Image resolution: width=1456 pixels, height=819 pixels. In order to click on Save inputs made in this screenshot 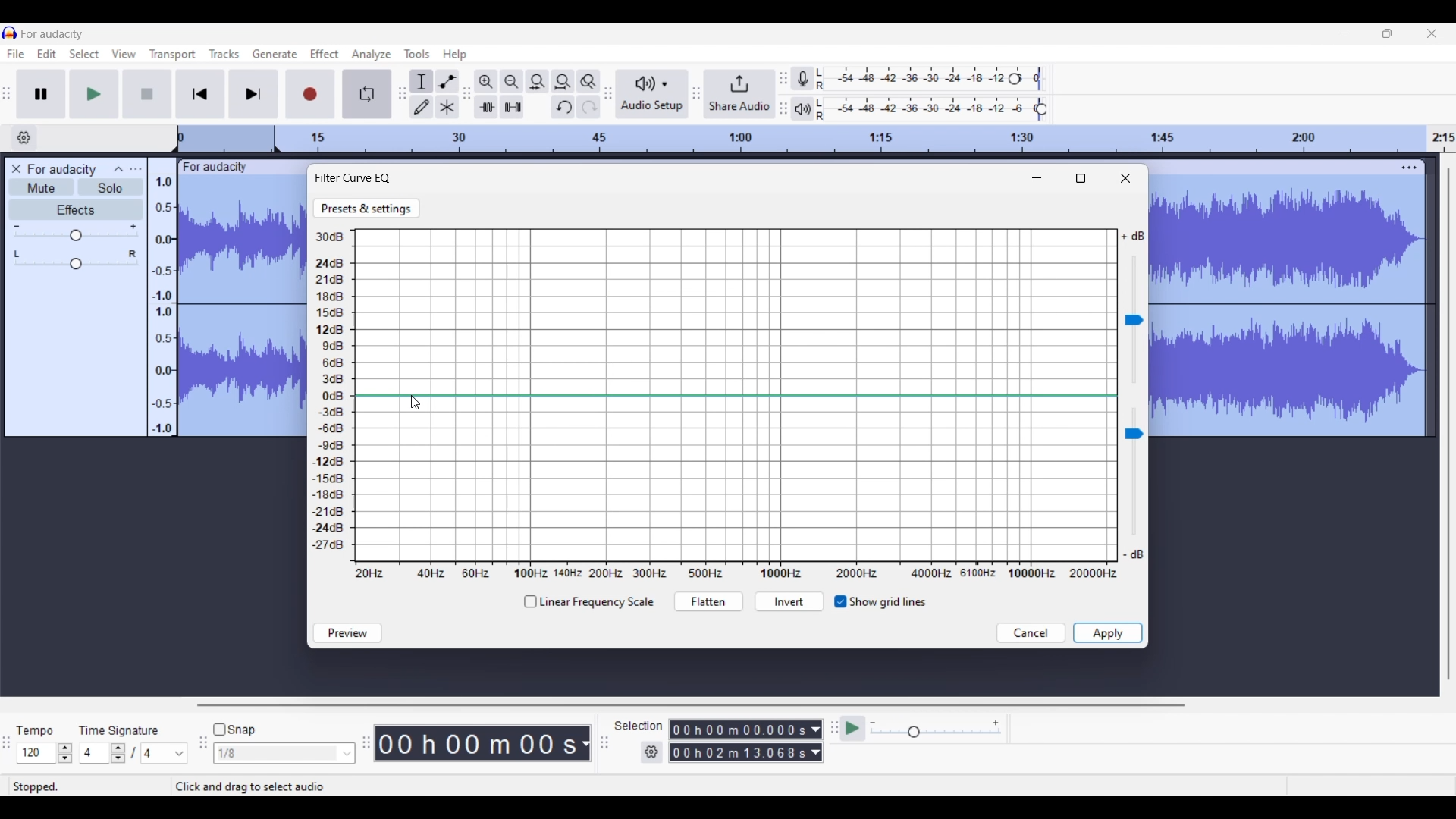, I will do `click(1108, 633)`.